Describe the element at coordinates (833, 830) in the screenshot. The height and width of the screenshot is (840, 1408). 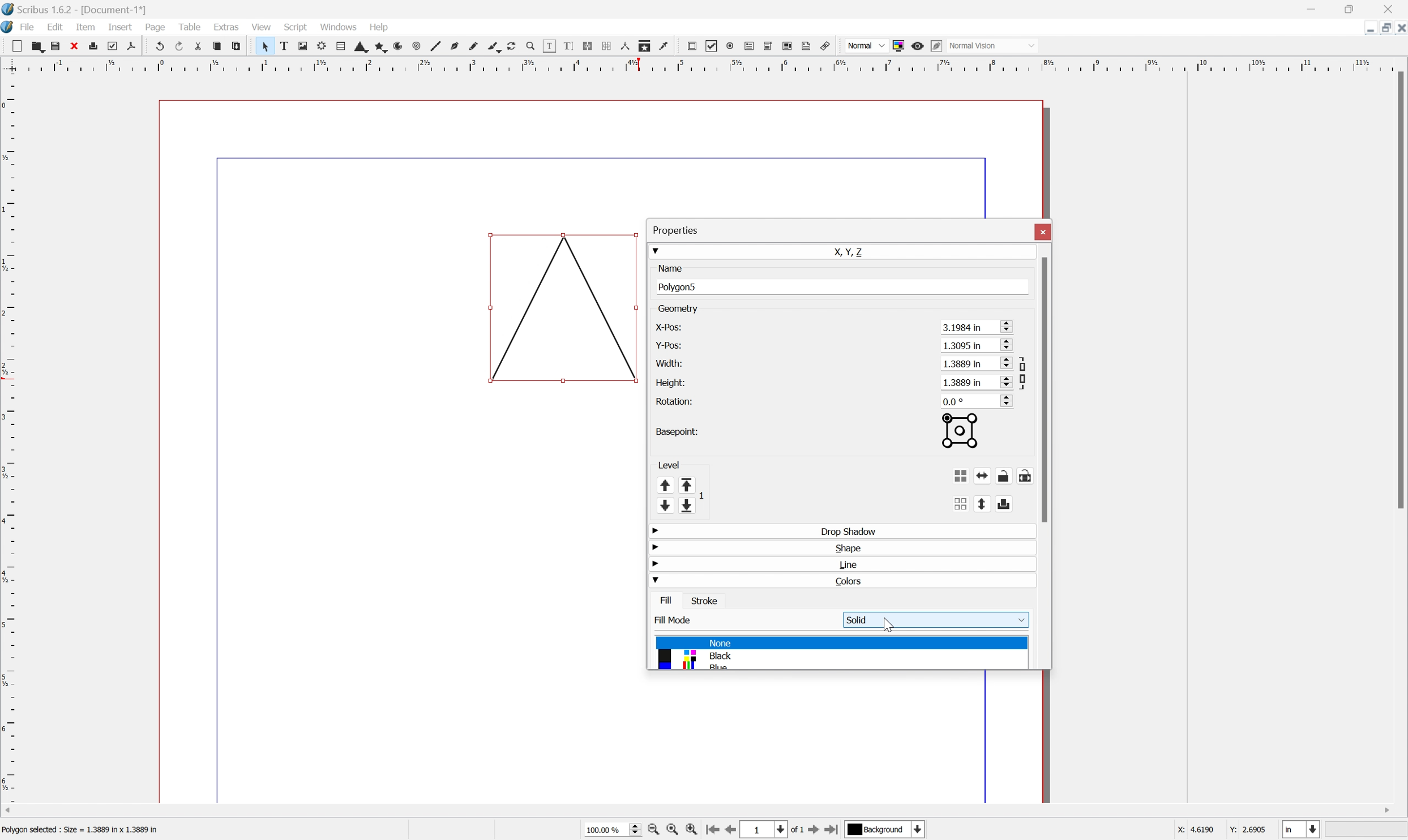
I see `Go to last page` at that location.